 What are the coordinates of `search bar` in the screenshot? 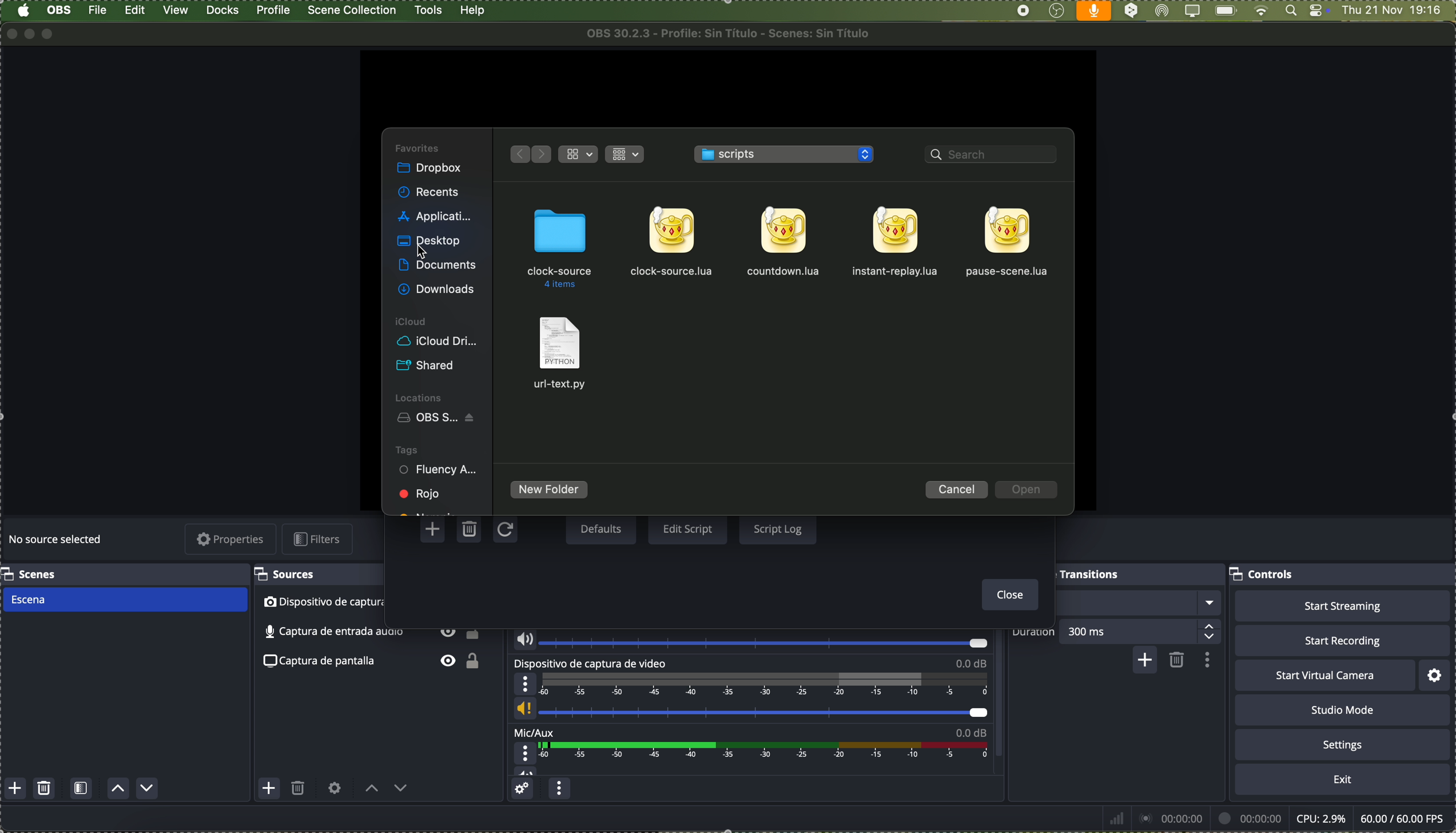 It's located at (994, 156).